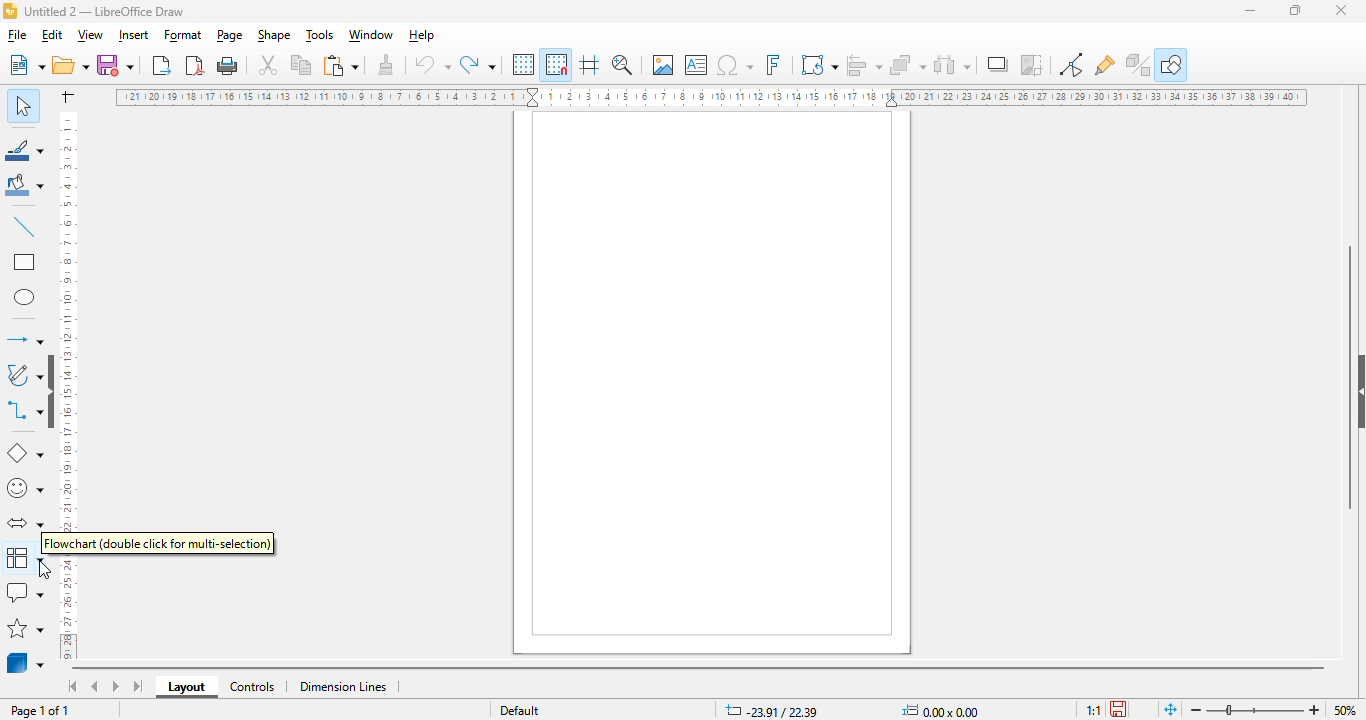  What do you see at coordinates (24, 523) in the screenshot?
I see `block arrows` at bounding box center [24, 523].